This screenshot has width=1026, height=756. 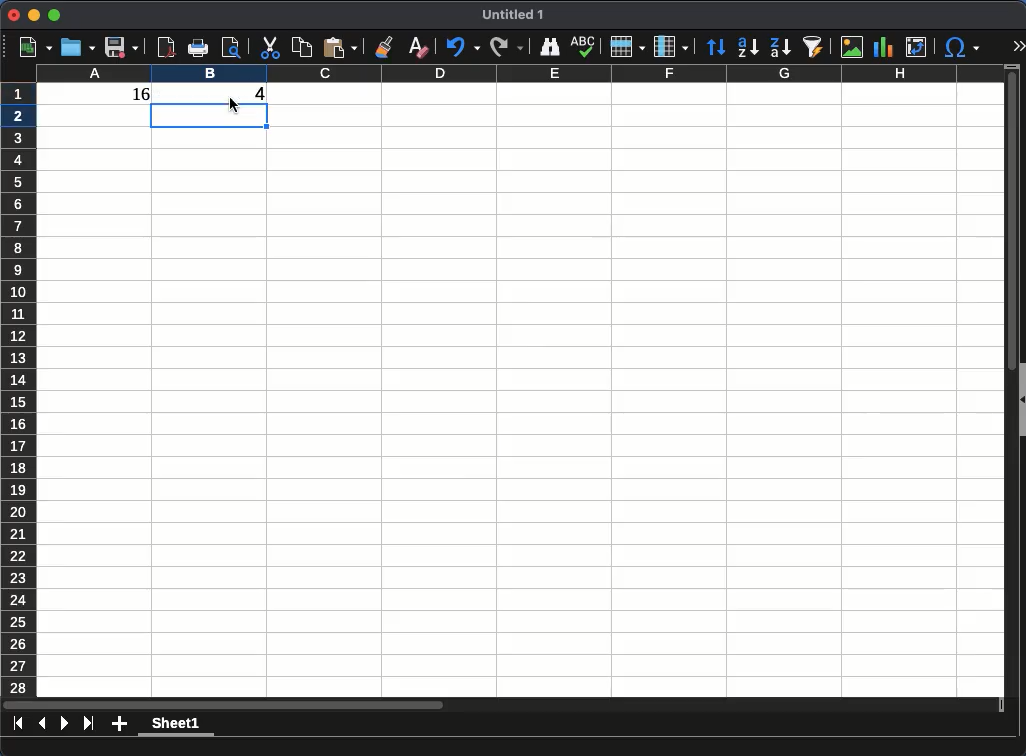 What do you see at coordinates (917, 48) in the screenshot?
I see `pivot table` at bounding box center [917, 48].